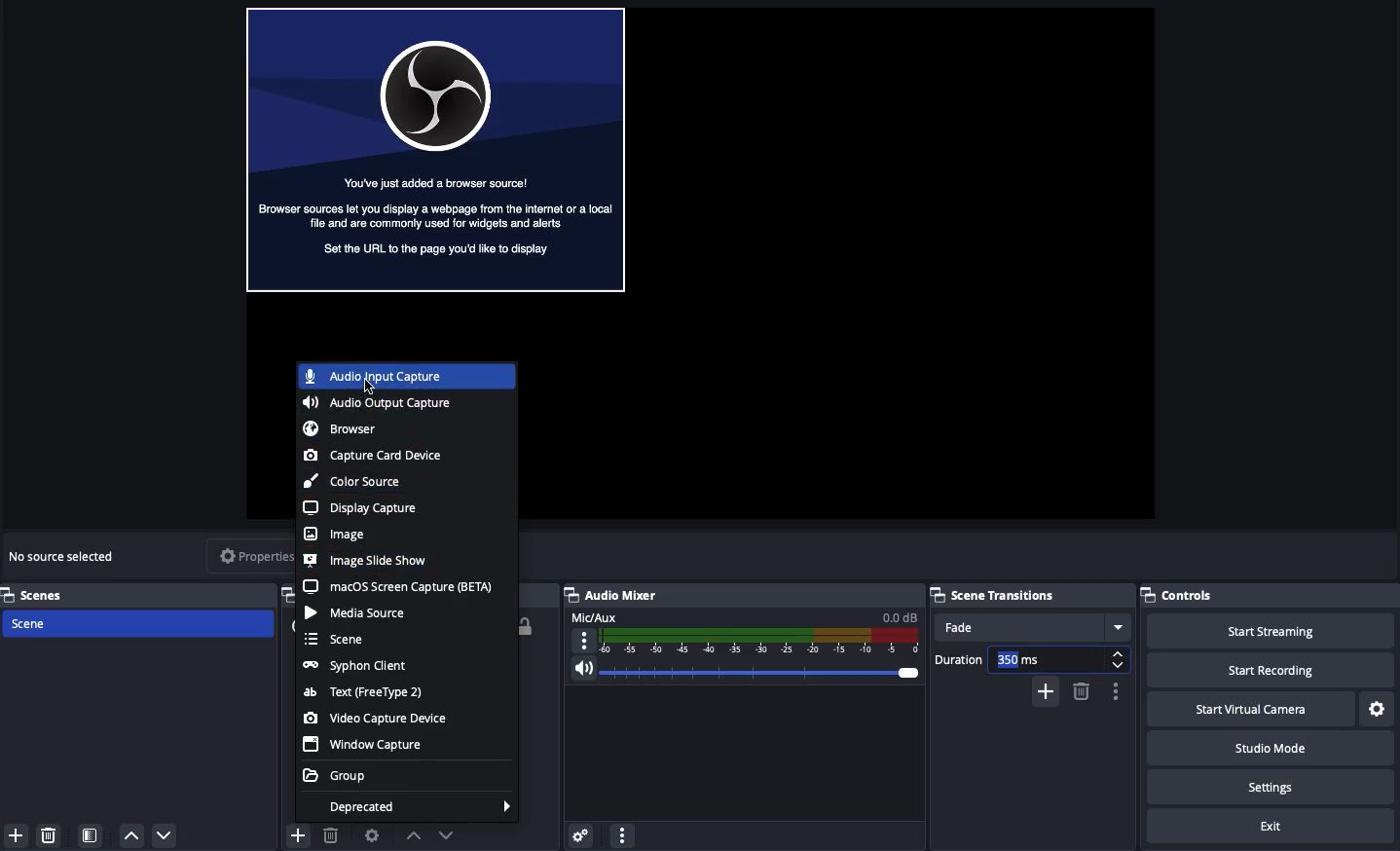 This screenshot has width=1400, height=851. What do you see at coordinates (1030, 660) in the screenshot?
I see `Duration` at bounding box center [1030, 660].